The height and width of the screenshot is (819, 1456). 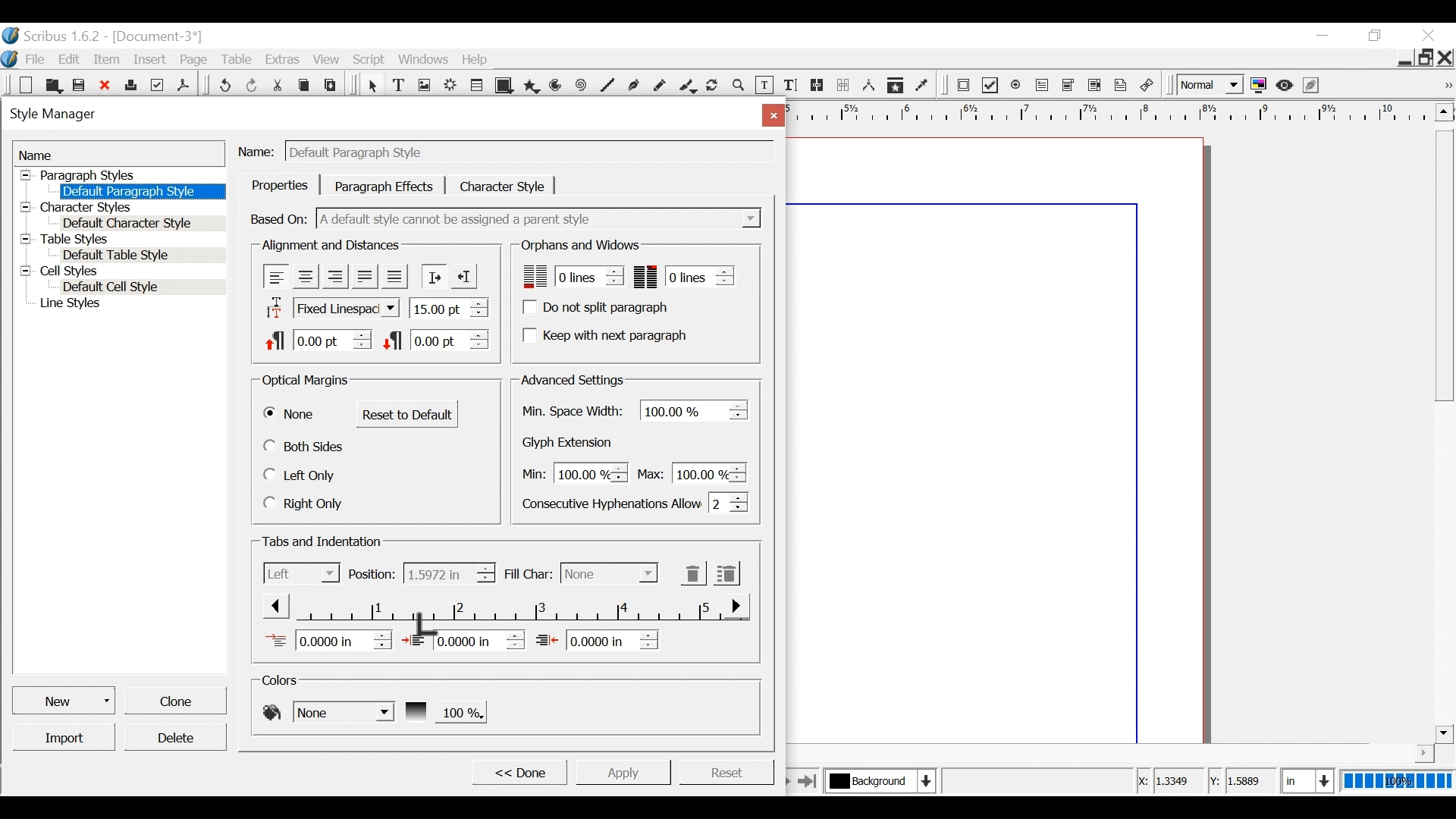 What do you see at coordinates (80, 84) in the screenshot?
I see `Save` at bounding box center [80, 84].